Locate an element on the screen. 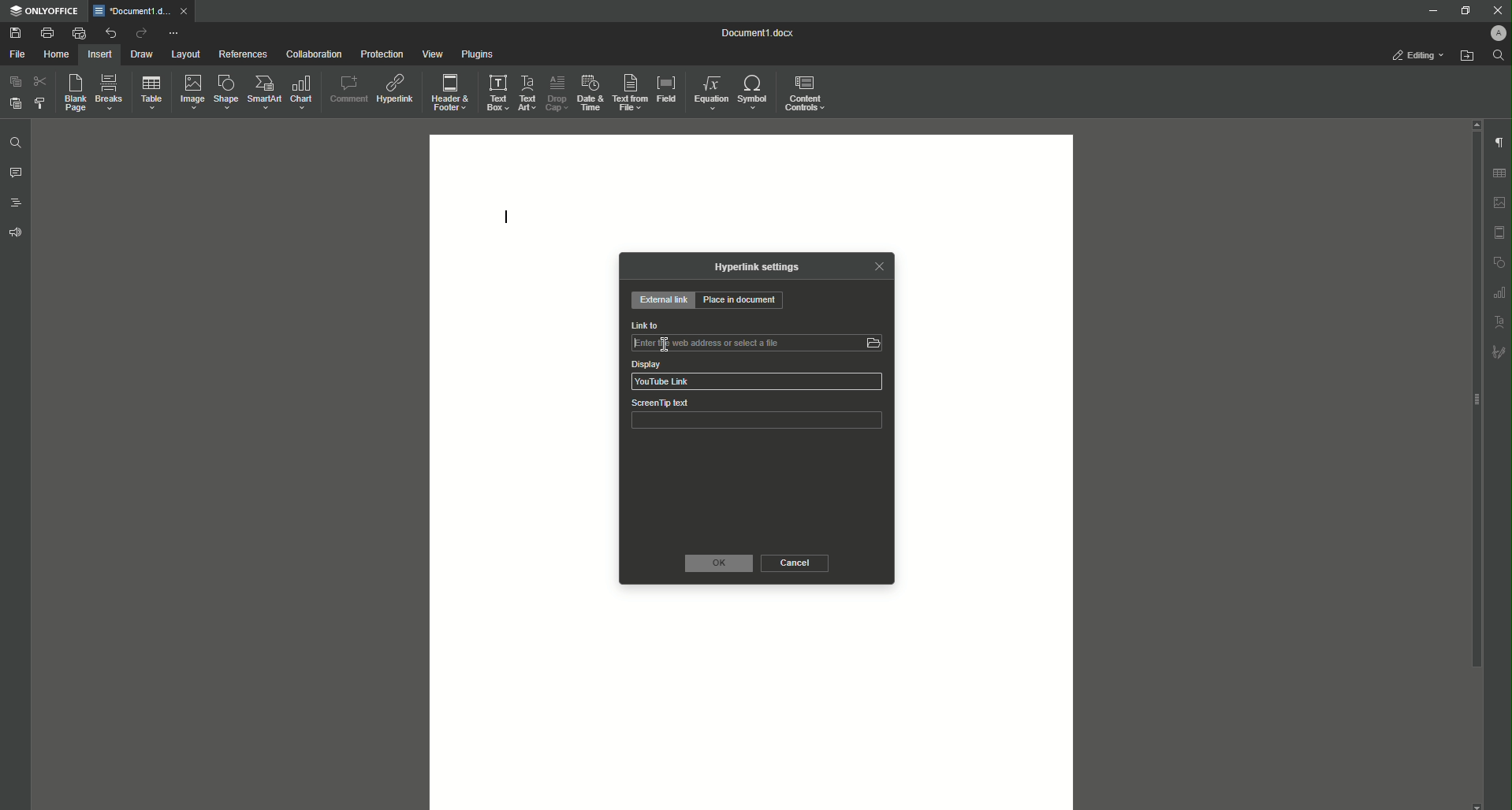 This screenshot has height=810, width=1512. Chart is located at coordinates (300, 93).